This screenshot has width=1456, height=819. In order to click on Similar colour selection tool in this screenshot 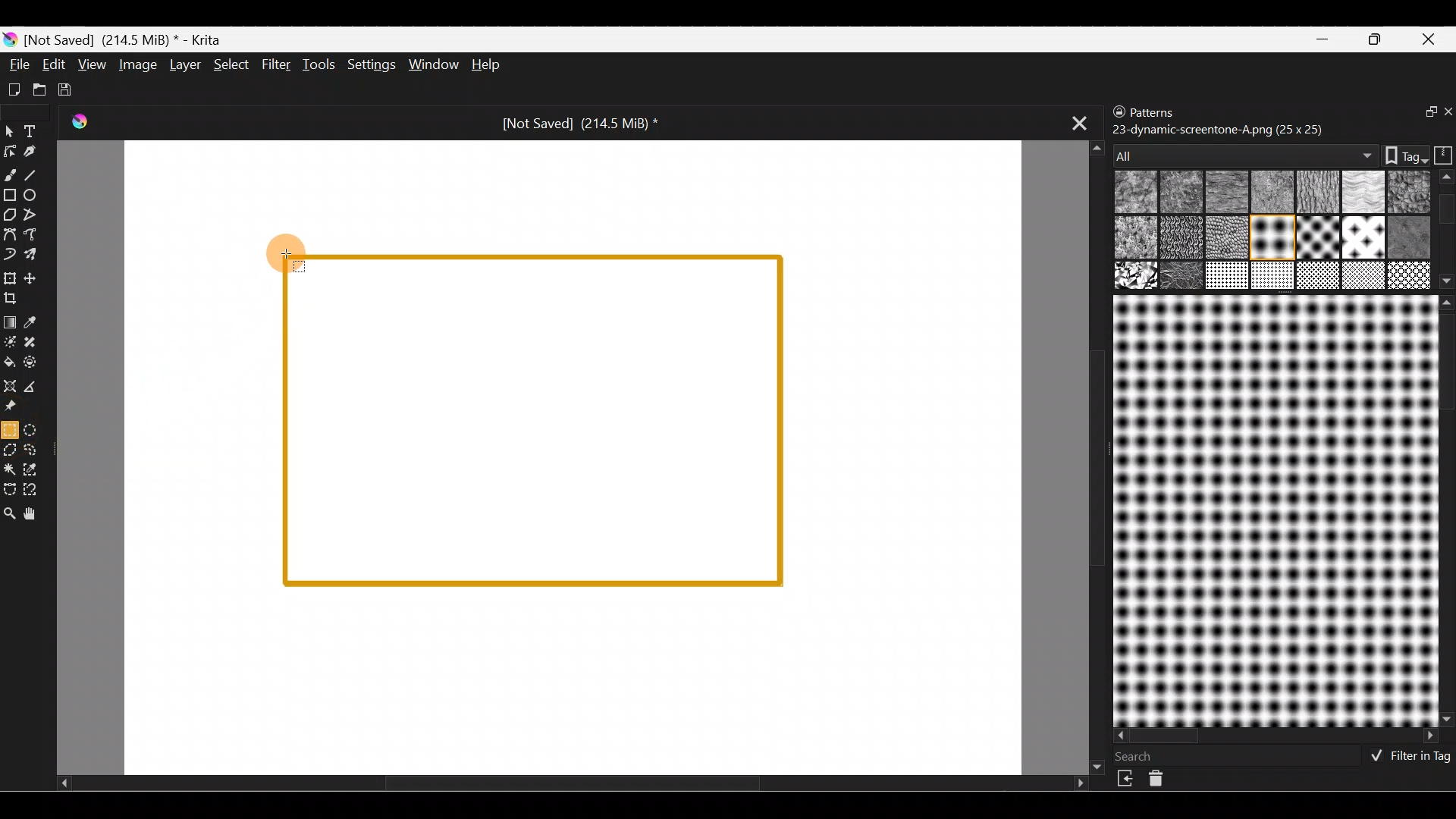, I will do `click(36, 472)`.